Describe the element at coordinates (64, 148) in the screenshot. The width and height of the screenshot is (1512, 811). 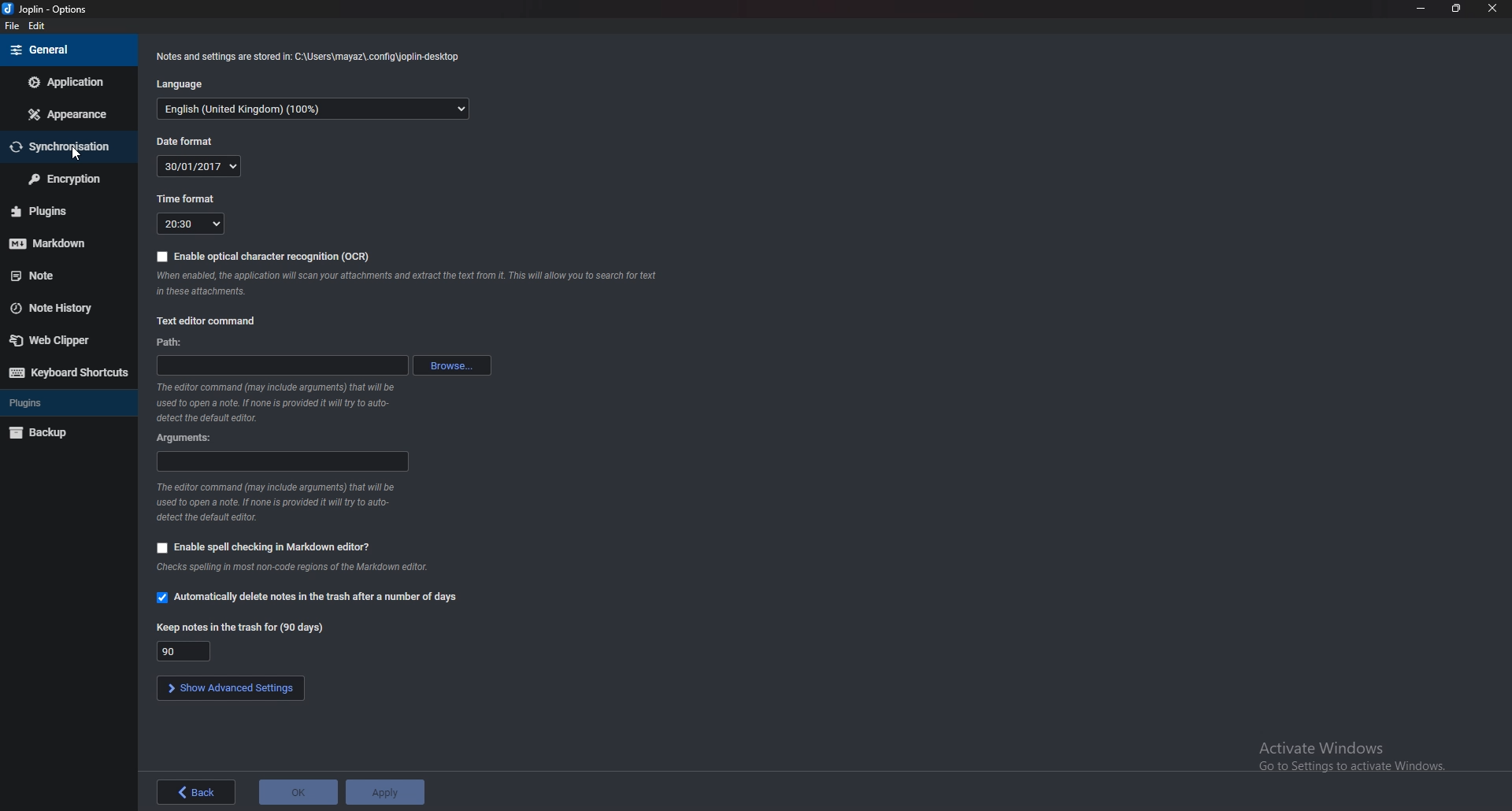
I see `sync` at that location.